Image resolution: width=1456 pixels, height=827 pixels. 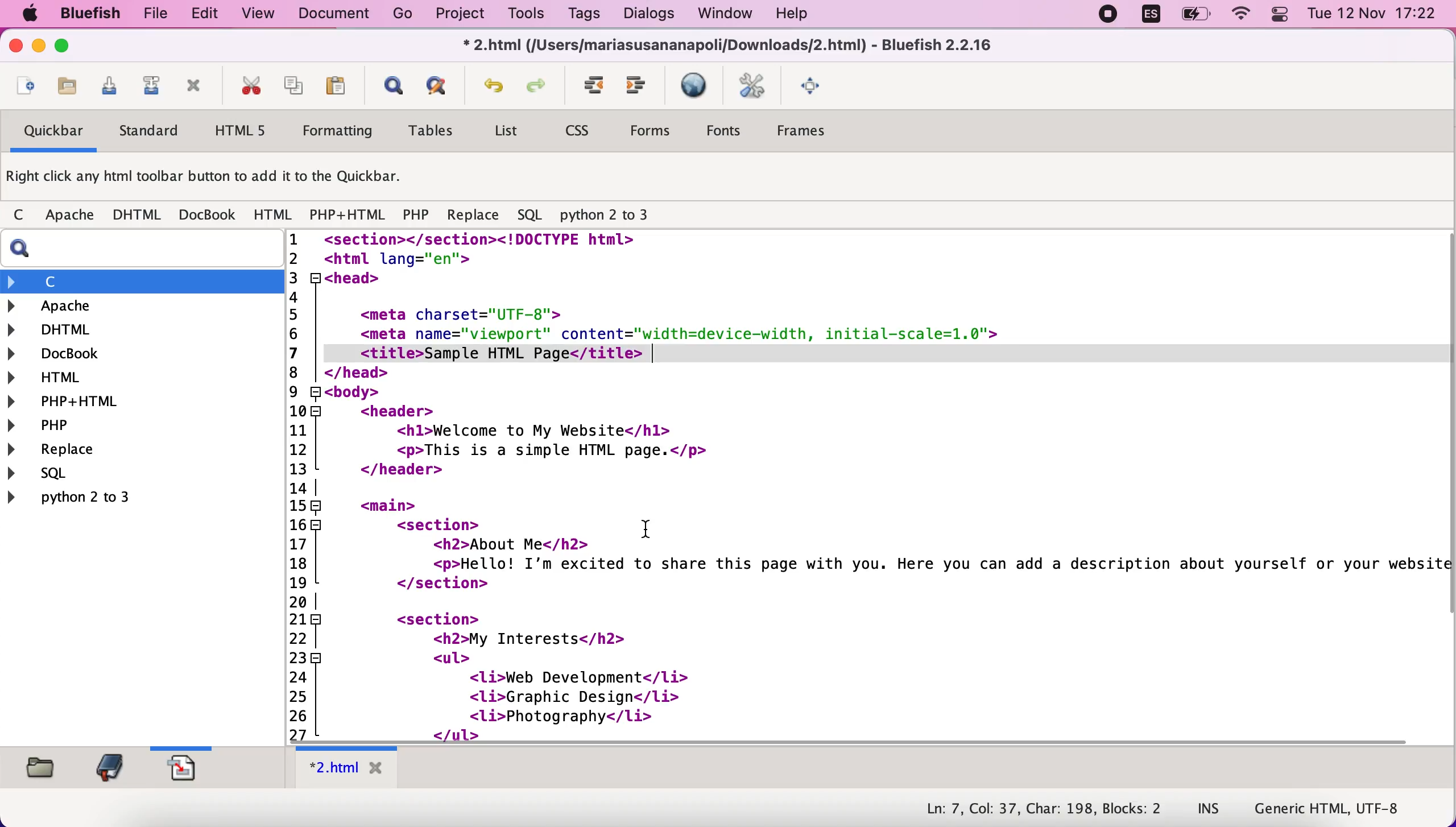 What do you see at coordinates (818, 131) in the screenshot?
I see `frames` at bounding box center [818, 131].